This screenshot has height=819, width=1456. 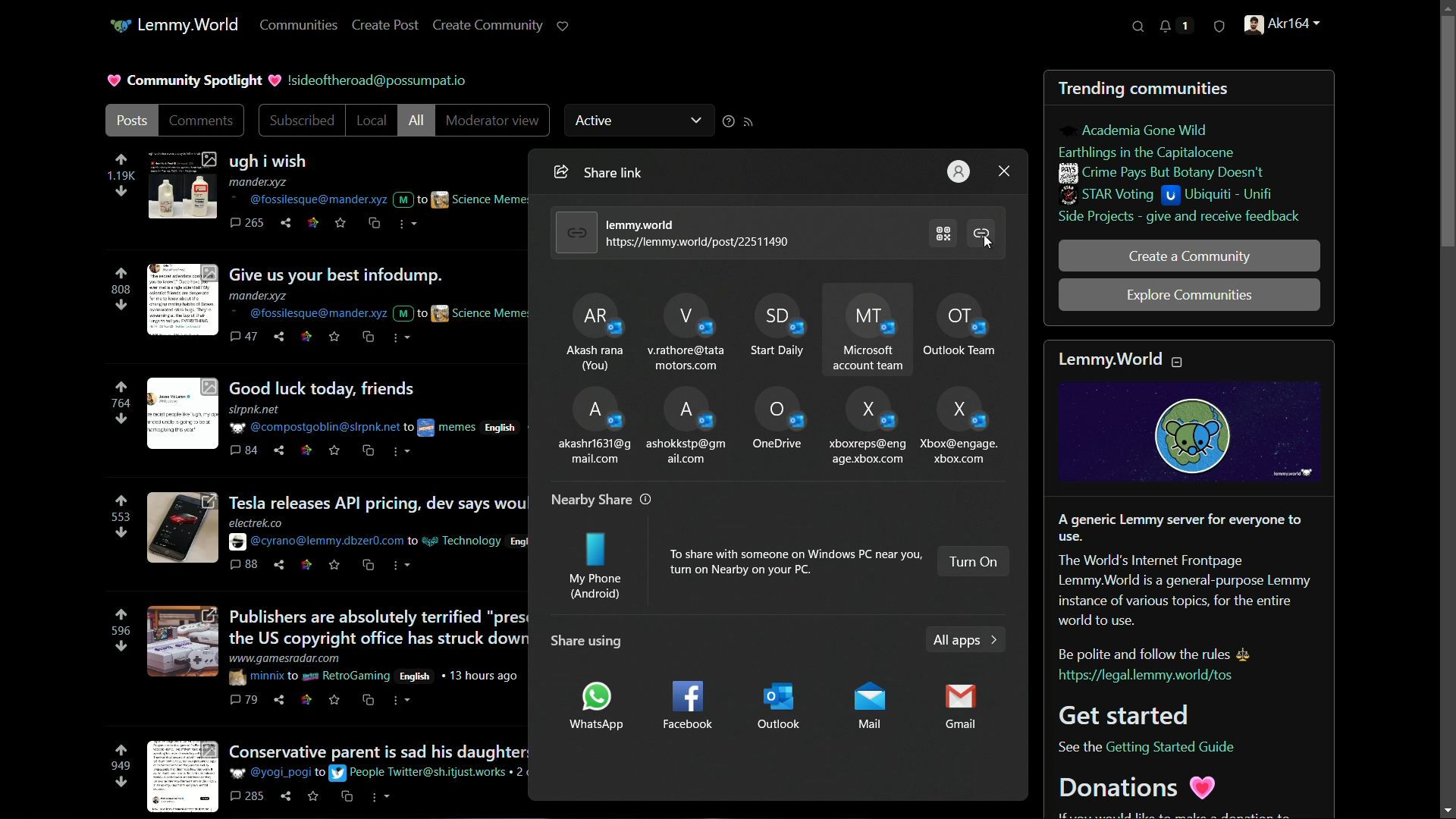 I want to click on M to, so click(x=409, y=196).